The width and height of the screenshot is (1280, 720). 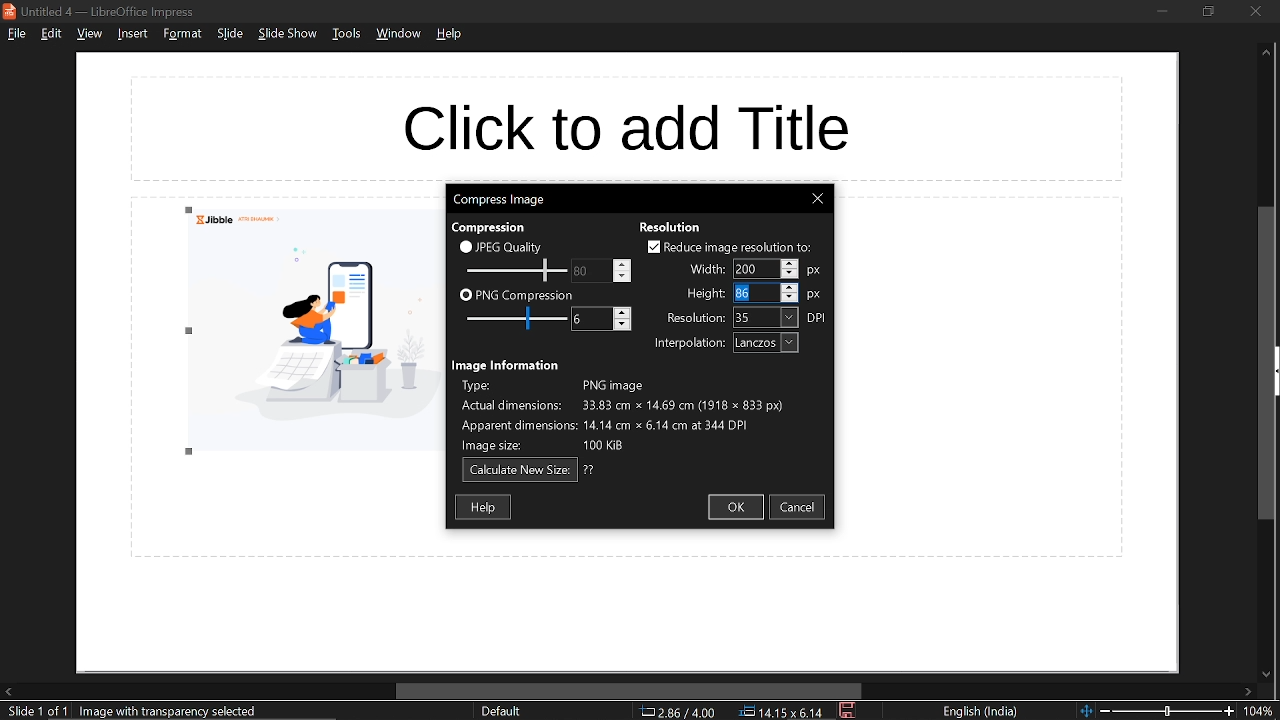 I want to click on Change JPEG quality , so click(x=516, y=271).